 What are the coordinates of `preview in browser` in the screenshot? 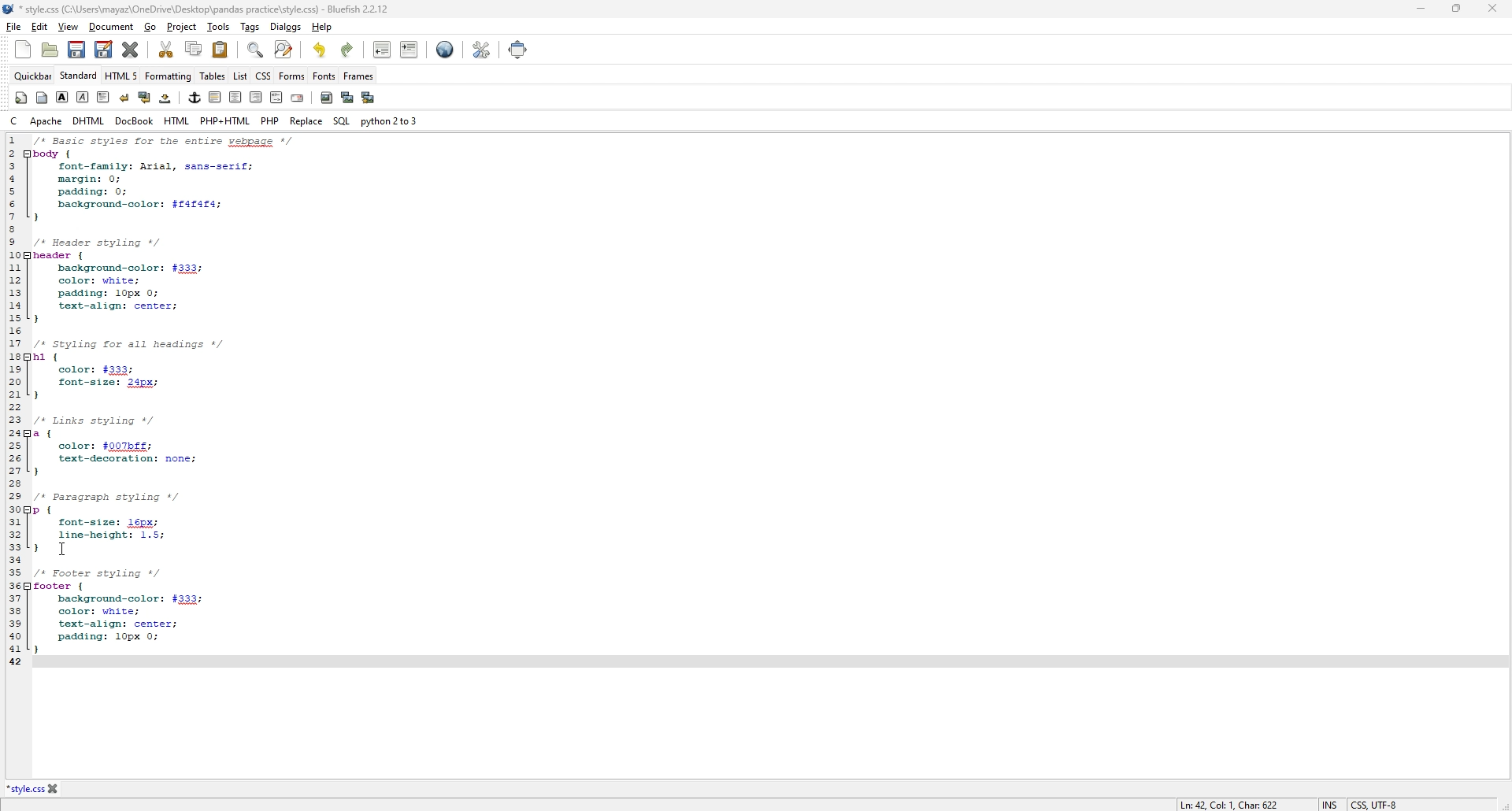 It's located at (444, 50).